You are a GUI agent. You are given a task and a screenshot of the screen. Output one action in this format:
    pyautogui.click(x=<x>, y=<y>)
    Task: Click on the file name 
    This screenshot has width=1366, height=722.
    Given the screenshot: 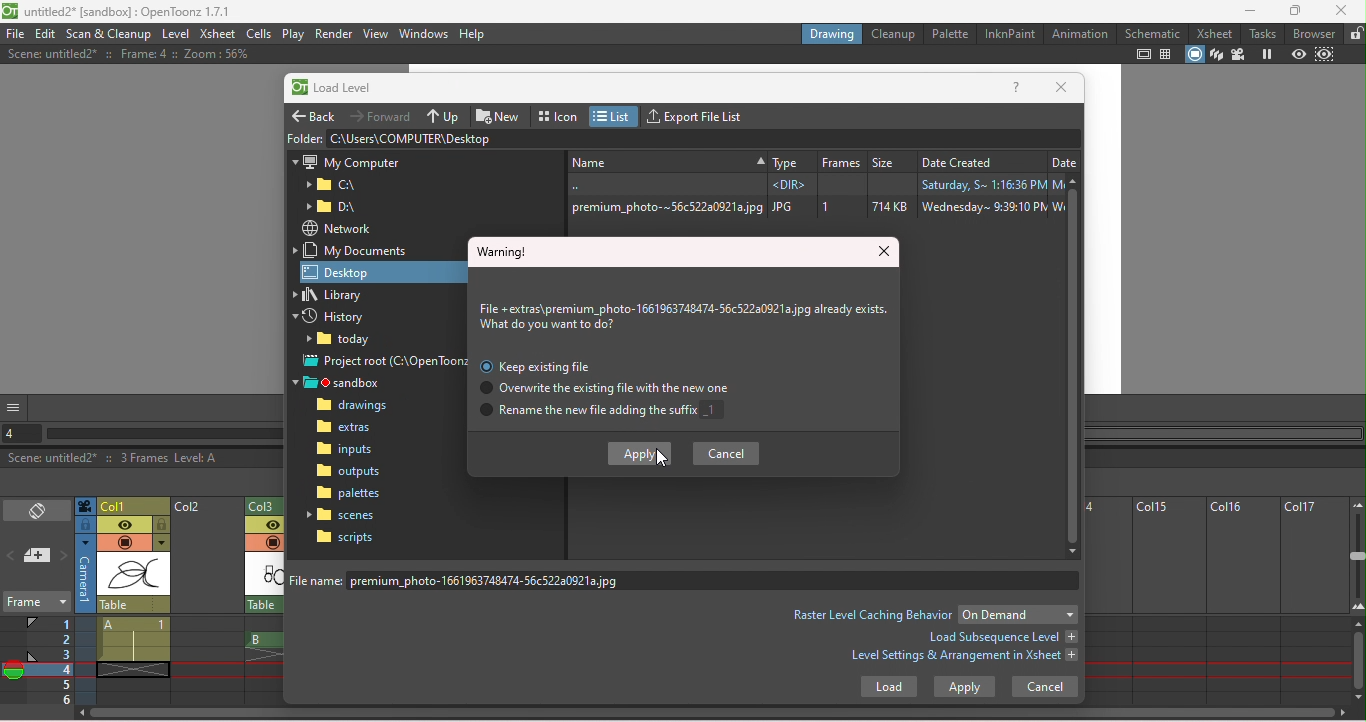 What is the action you would take?
    pyautogui.click(x=688, y=580)
    